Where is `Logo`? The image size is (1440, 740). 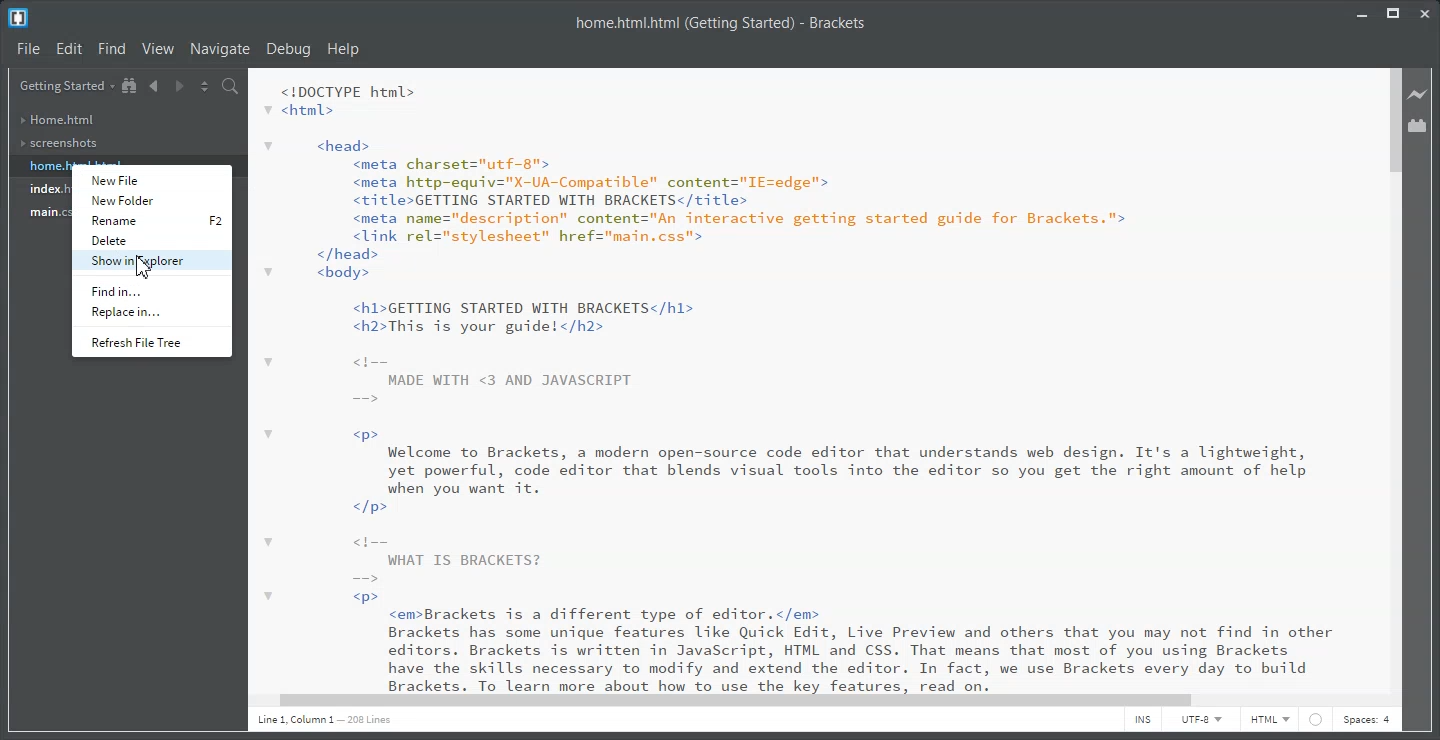
Logo is located at coordinates (19, 18).